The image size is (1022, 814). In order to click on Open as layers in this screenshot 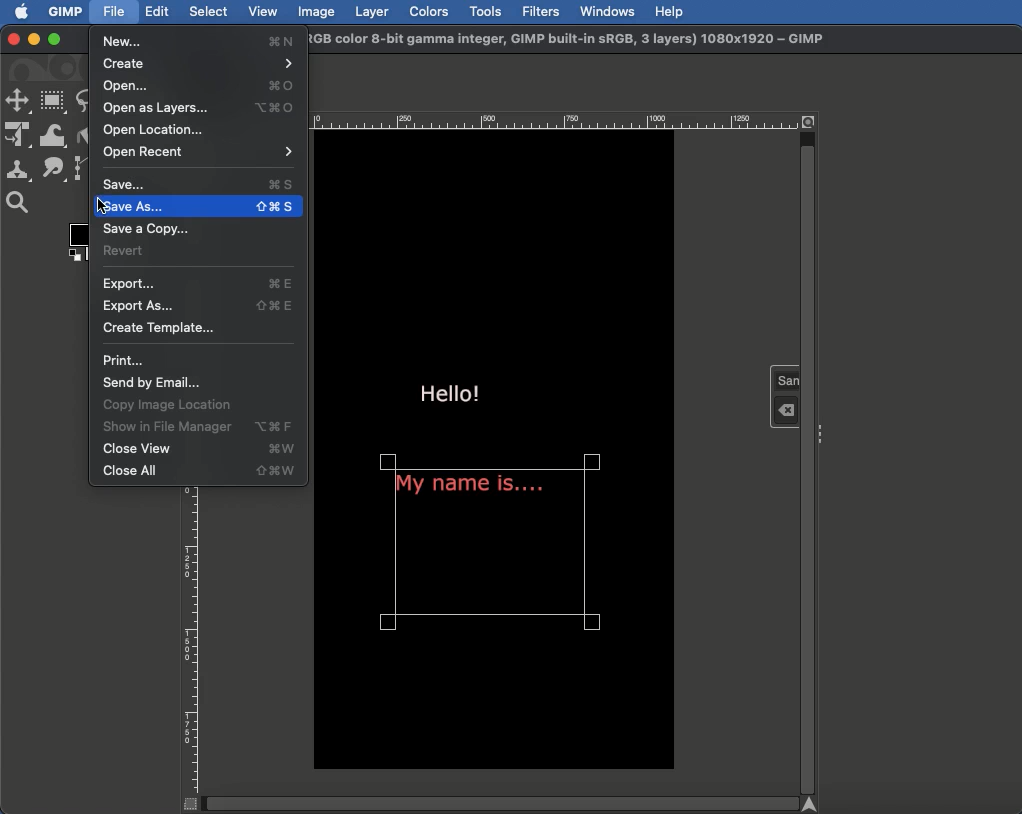, I will do `click(197, 107)`.